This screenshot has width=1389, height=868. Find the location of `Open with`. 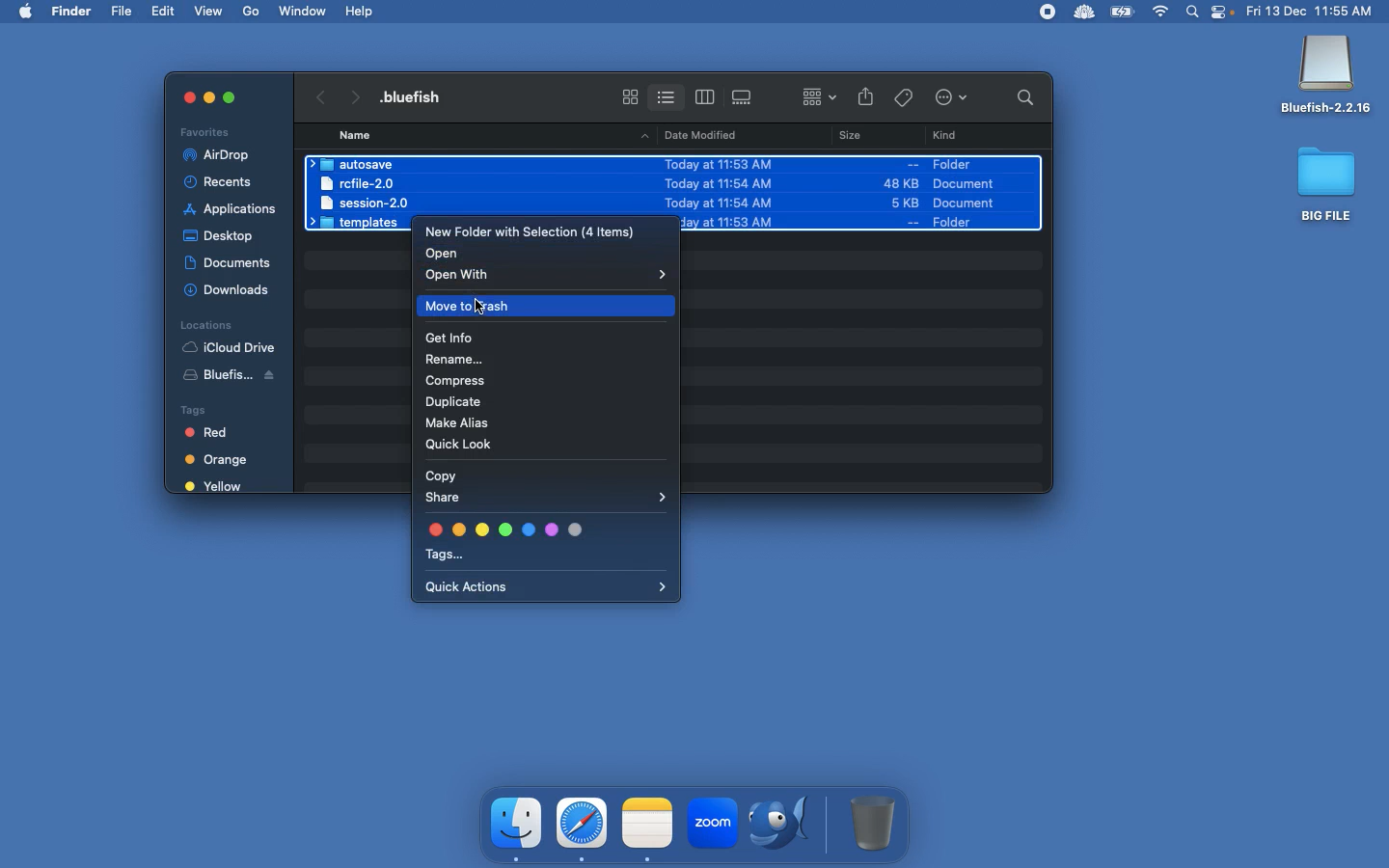

Open with is located at coordinates (550, 275).